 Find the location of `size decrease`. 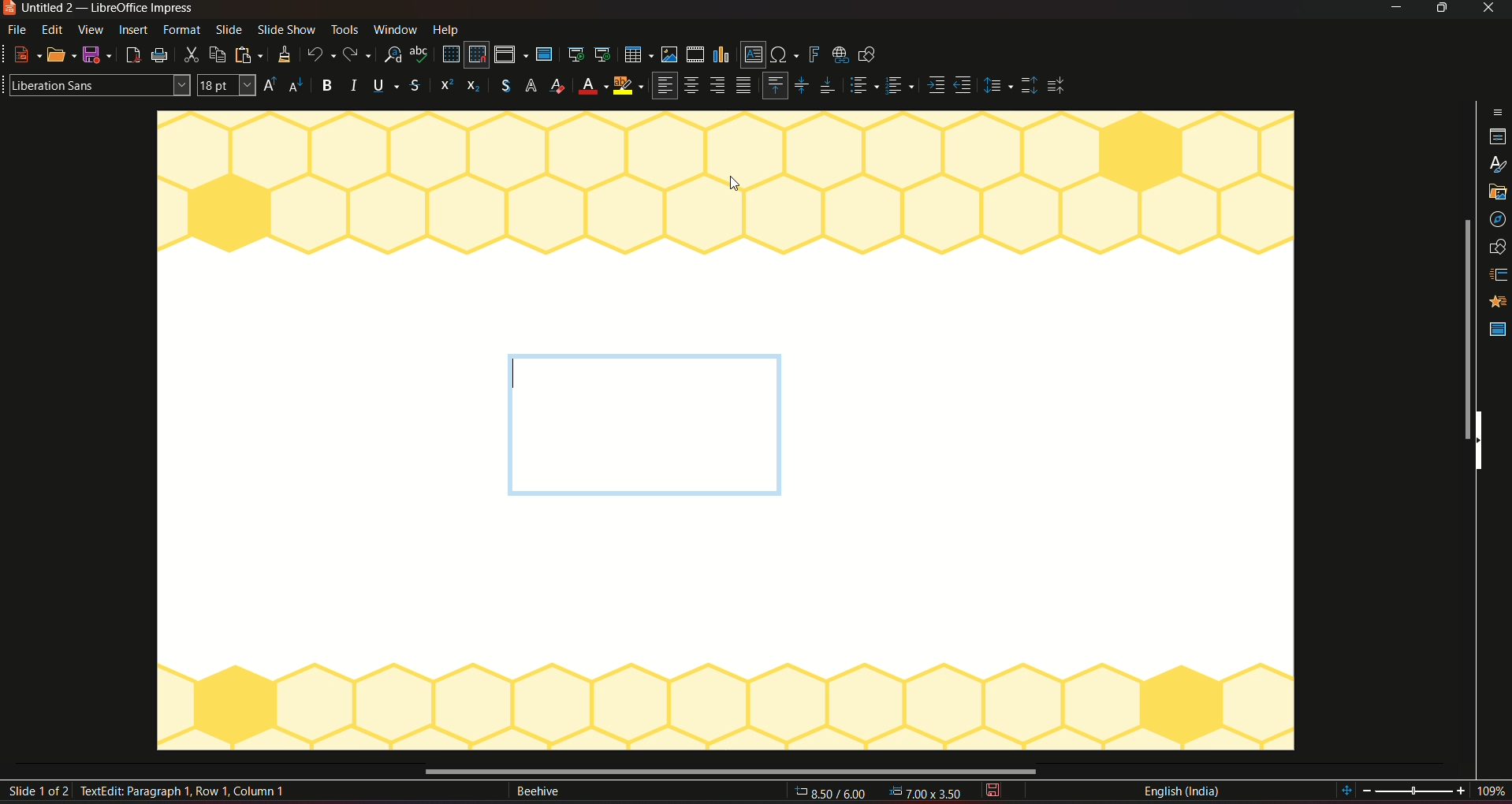

size decrease is located at coordinates (300, 86).